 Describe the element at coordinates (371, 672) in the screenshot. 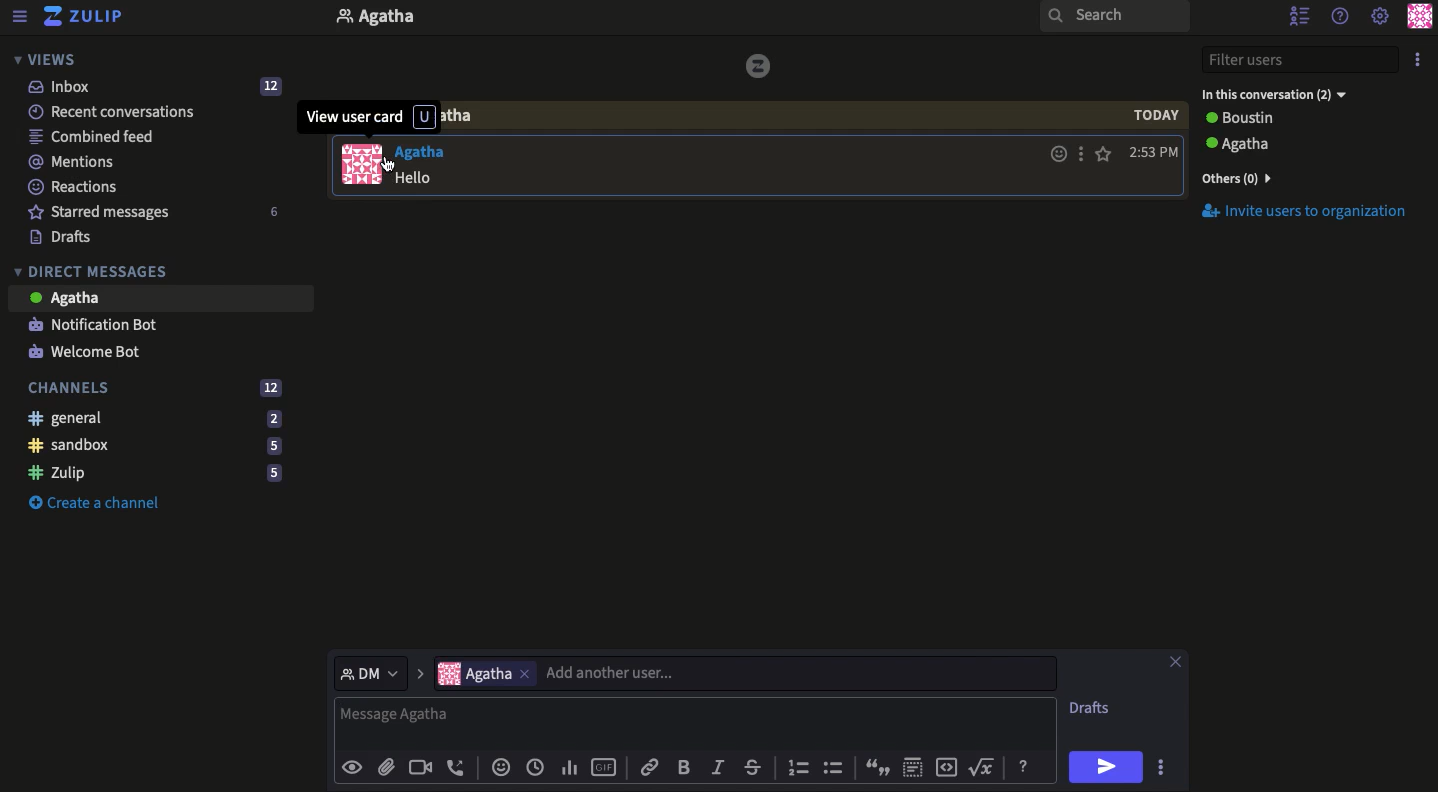

I see `DM` at that location.